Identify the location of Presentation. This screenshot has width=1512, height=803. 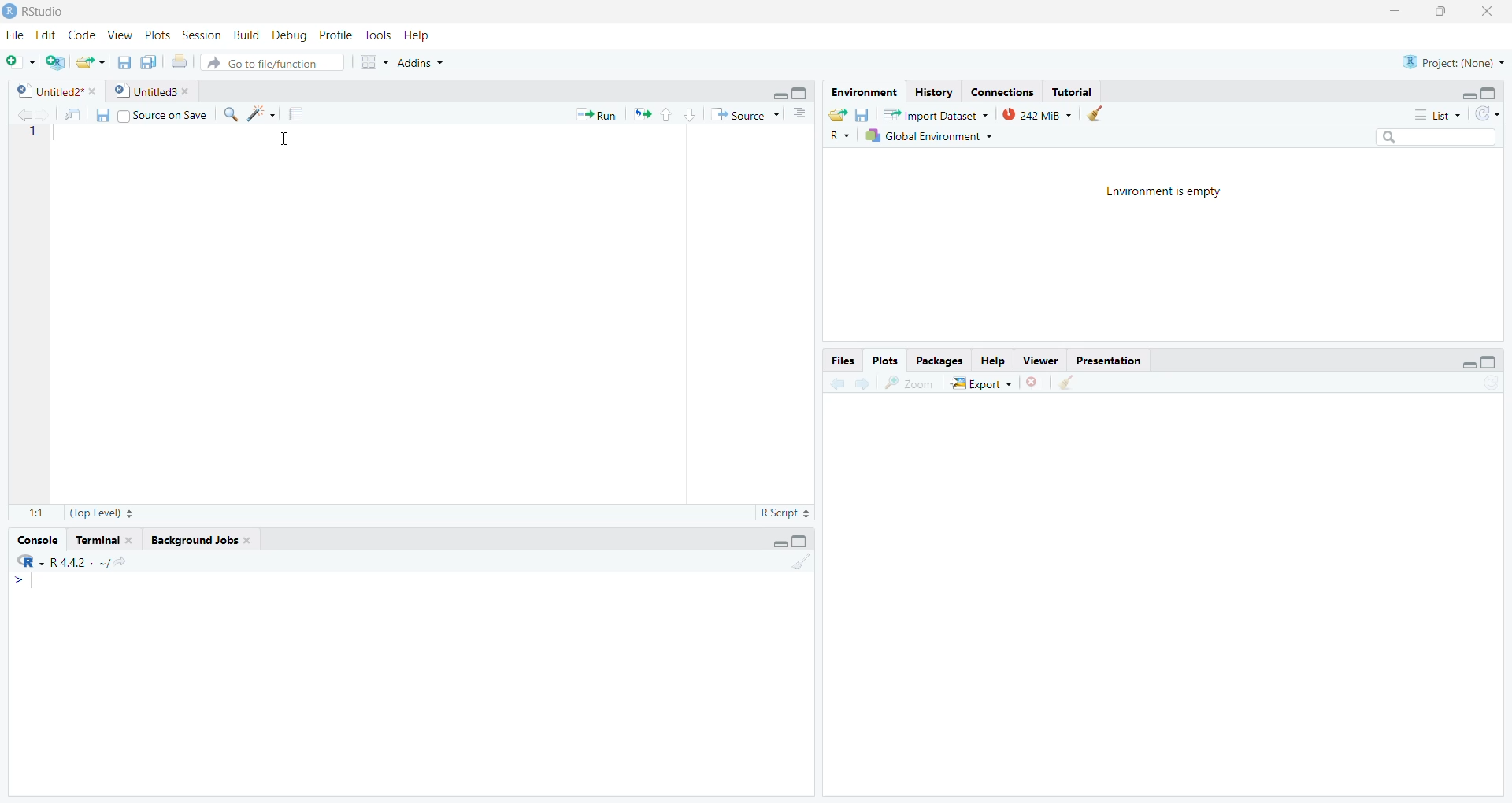
(1106, 358).